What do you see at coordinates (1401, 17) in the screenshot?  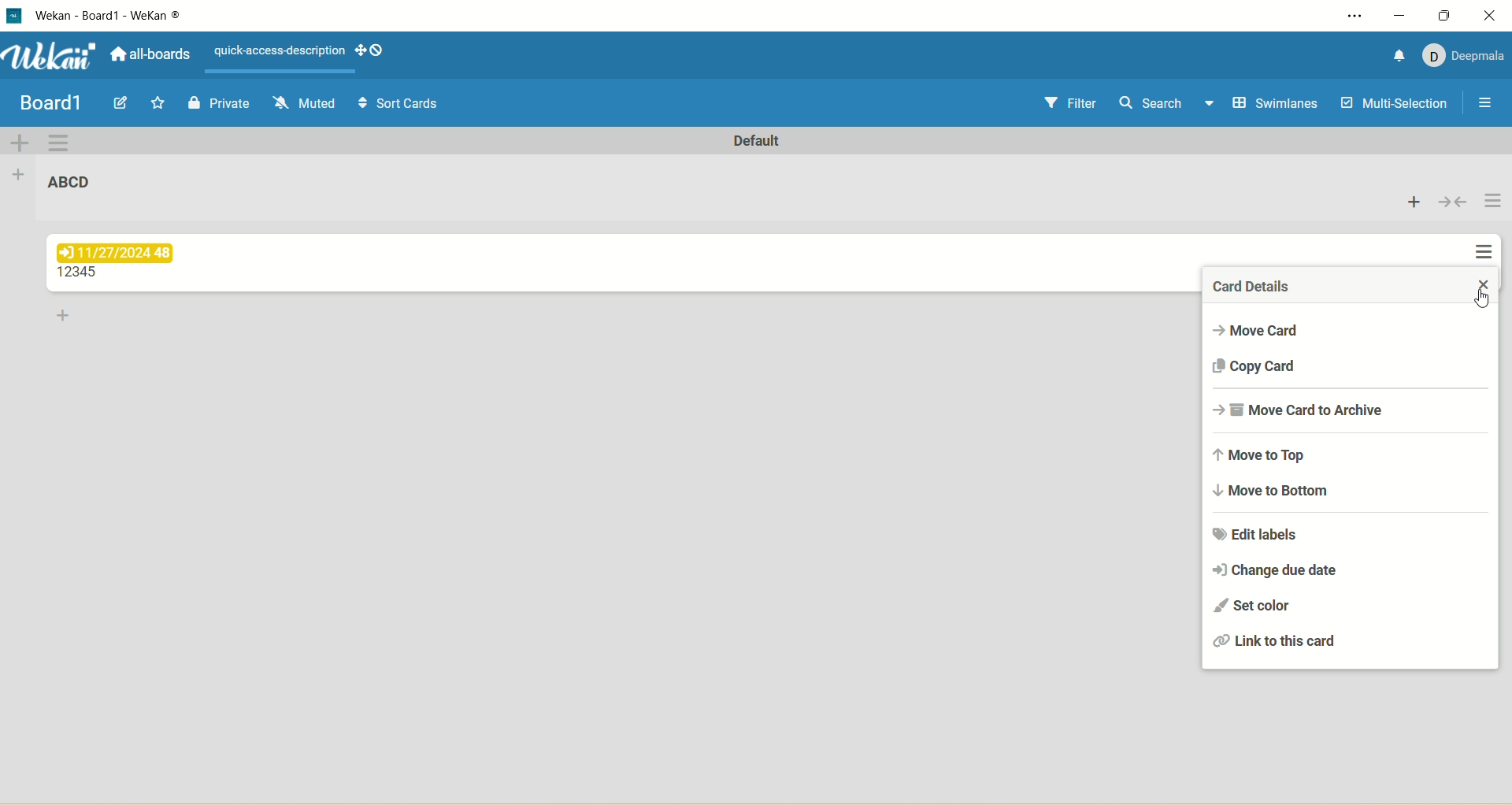 I see `minimize` at bounding box center [1401, 17].